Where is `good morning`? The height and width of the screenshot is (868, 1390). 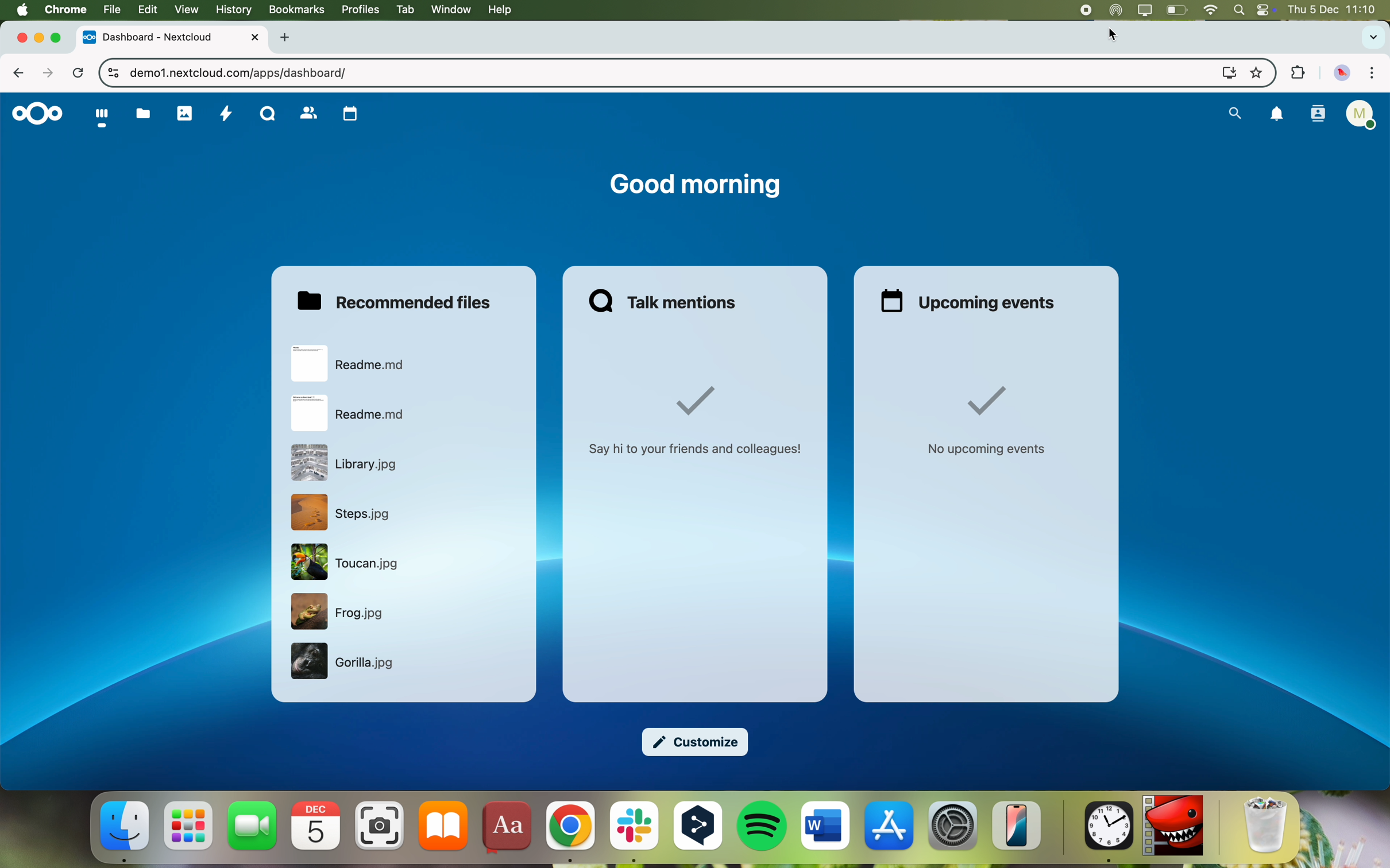 good morning is located at coordinates (694, 186).